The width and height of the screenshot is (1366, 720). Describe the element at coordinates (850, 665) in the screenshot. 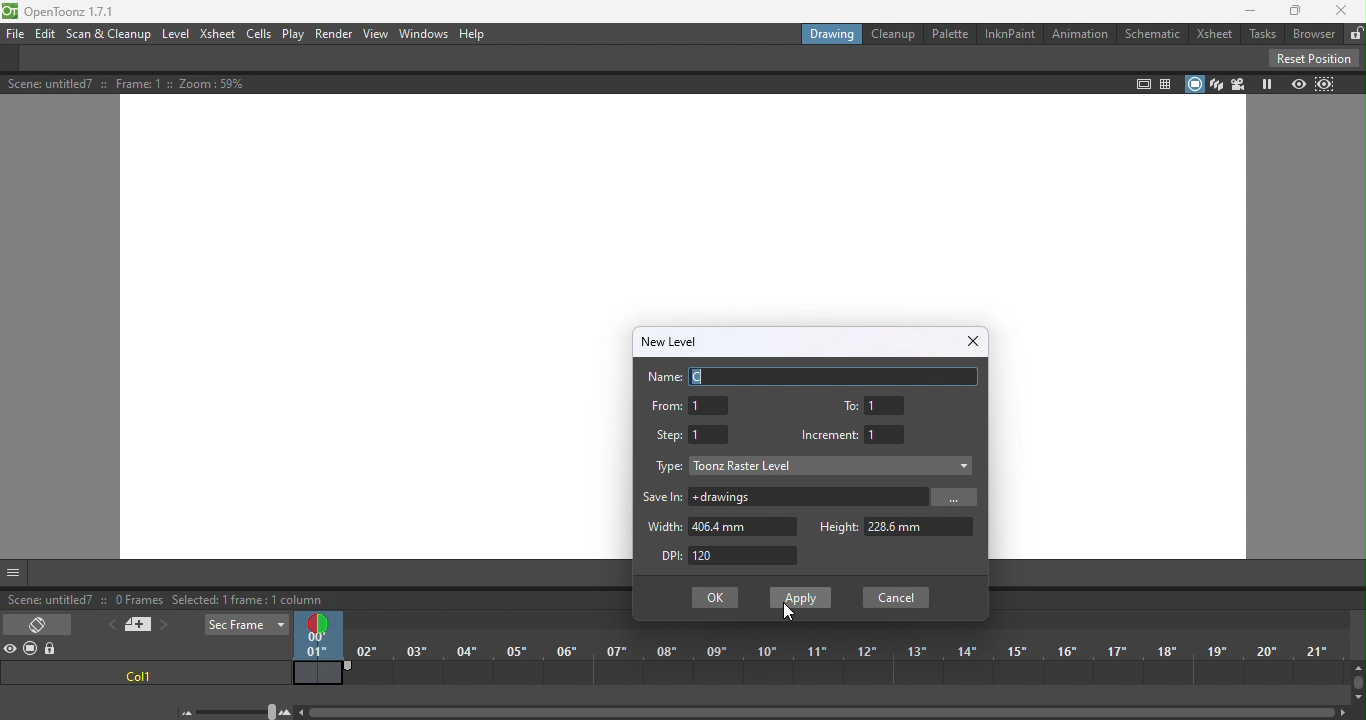

I see `Frames` at that location.